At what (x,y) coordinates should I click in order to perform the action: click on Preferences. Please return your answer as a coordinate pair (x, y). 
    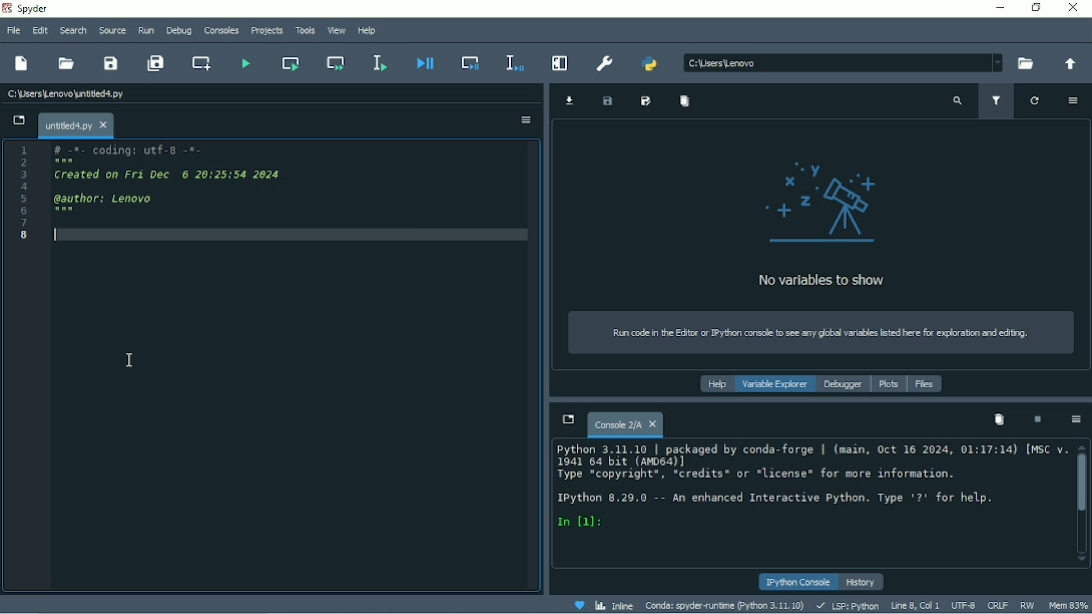
    Looking at the image, I should click on (604, 63).